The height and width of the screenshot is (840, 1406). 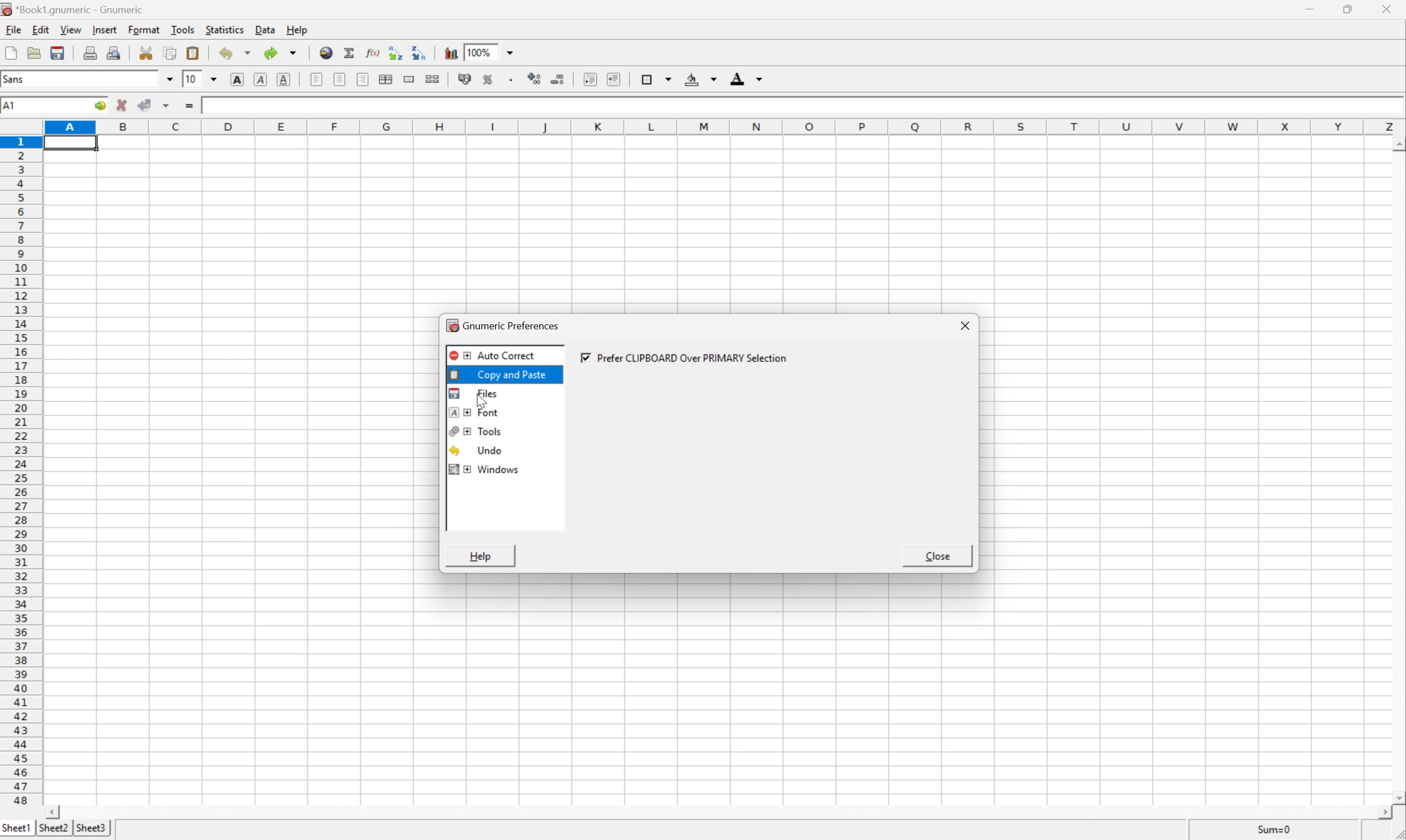 I want to click on increase number of decimals displayed, so click(x=535, y=79).